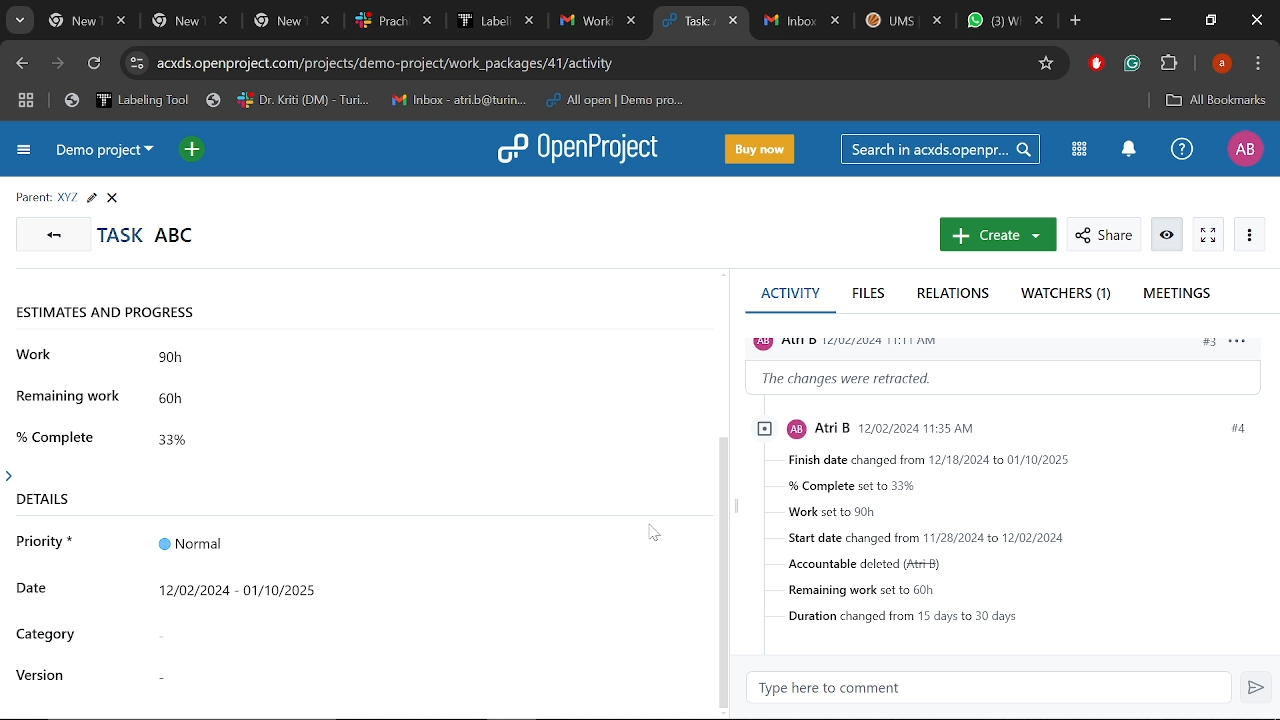 This screenshot has height=720, width=1280. Describe the element at coordinates (33, 198) in the screenshot. I see `parent` at that location.